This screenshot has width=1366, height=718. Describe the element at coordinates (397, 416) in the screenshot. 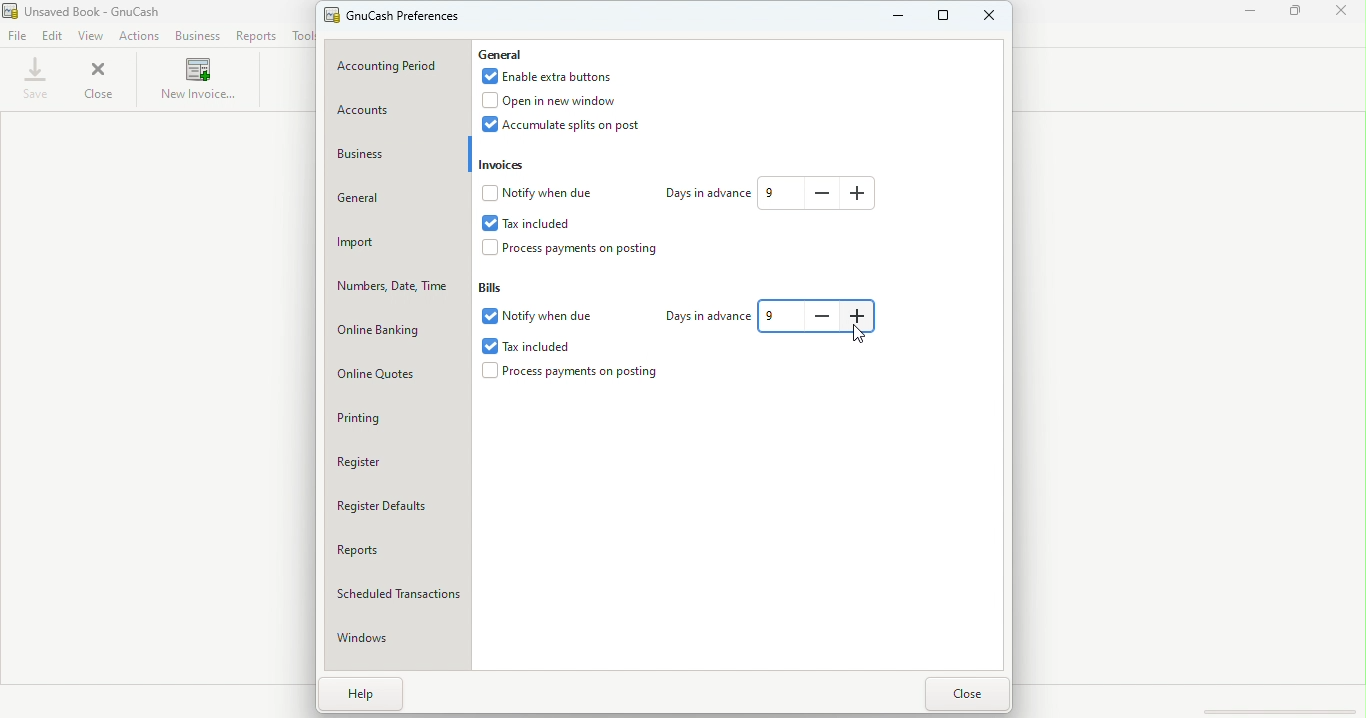

I see `Printing` at that location.